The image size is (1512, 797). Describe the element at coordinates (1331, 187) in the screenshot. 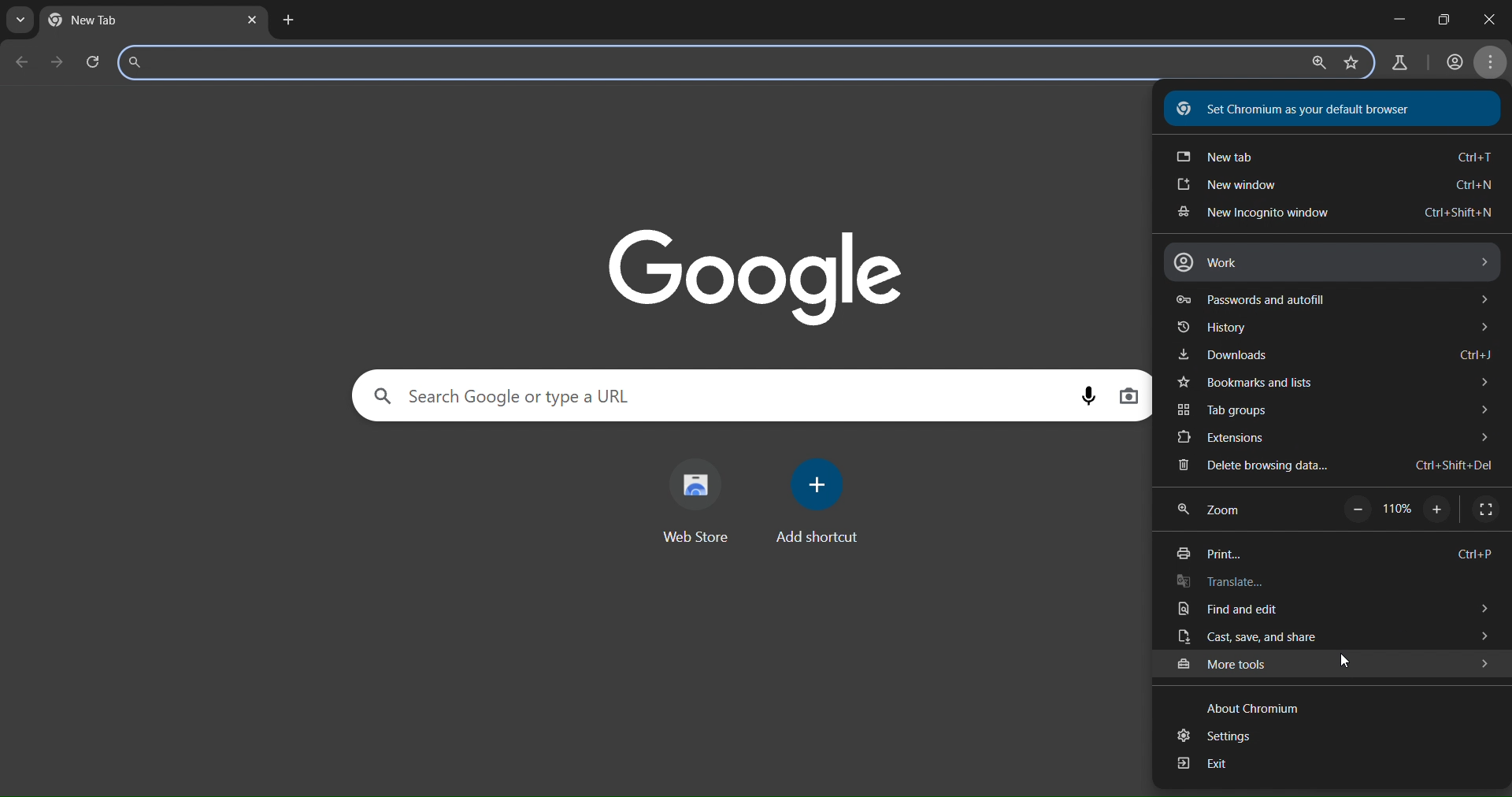

I see `new window Ctrl+N` at that location.